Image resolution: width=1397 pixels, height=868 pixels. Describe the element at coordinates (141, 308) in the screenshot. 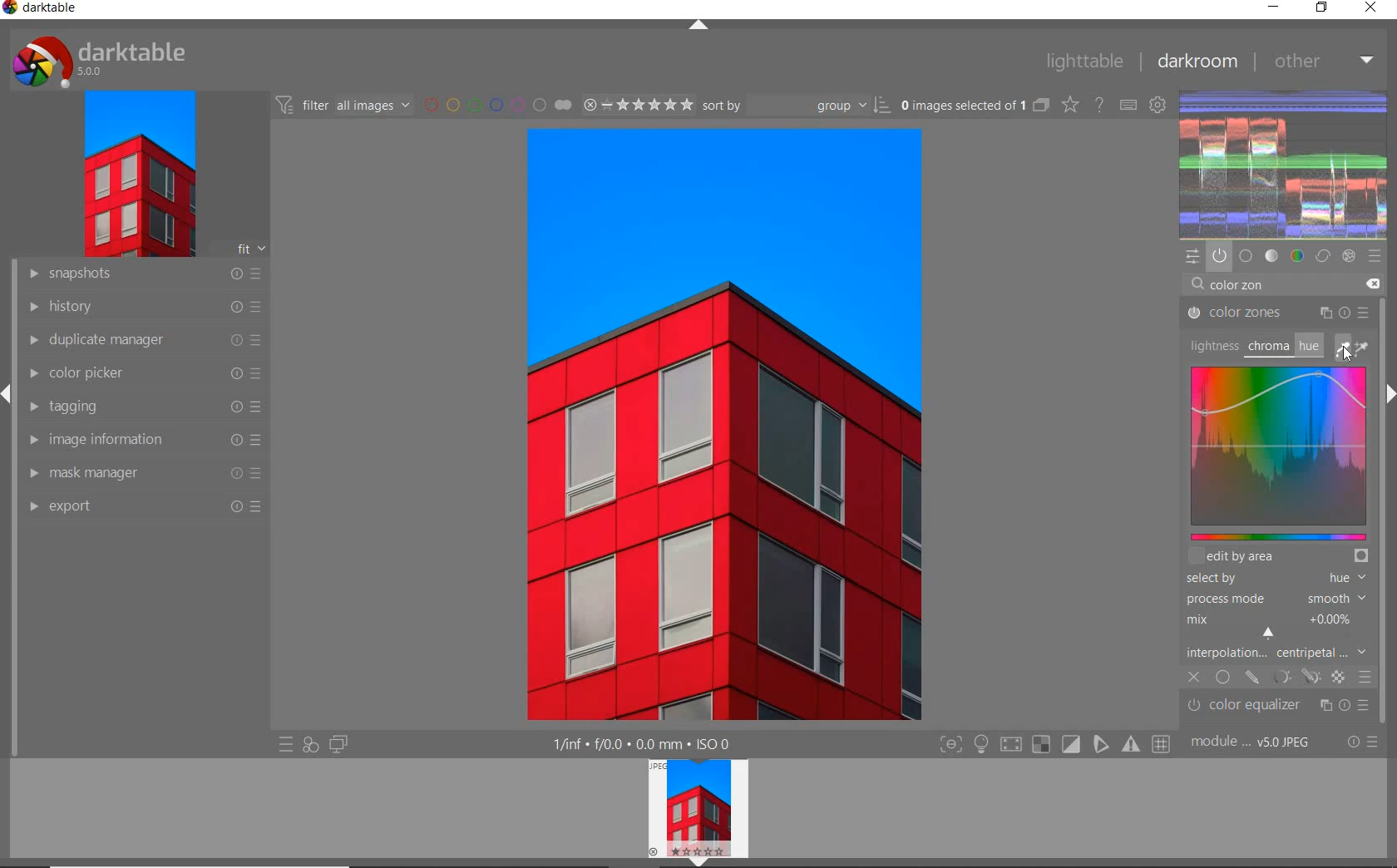

I see `history` at that location.